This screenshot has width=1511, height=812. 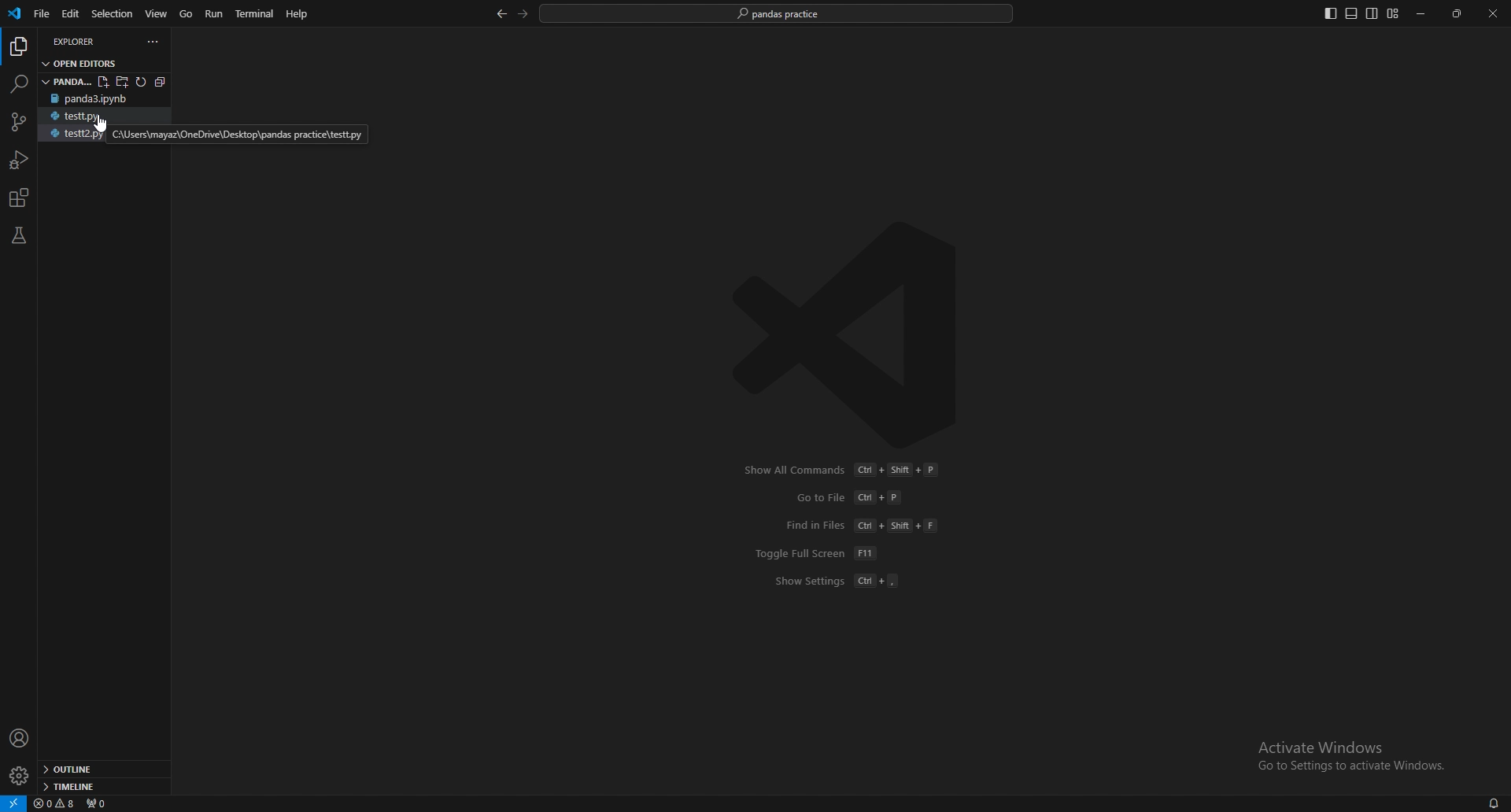 I want to click on toggle secondary side bar, so click(x=1372, y=13).